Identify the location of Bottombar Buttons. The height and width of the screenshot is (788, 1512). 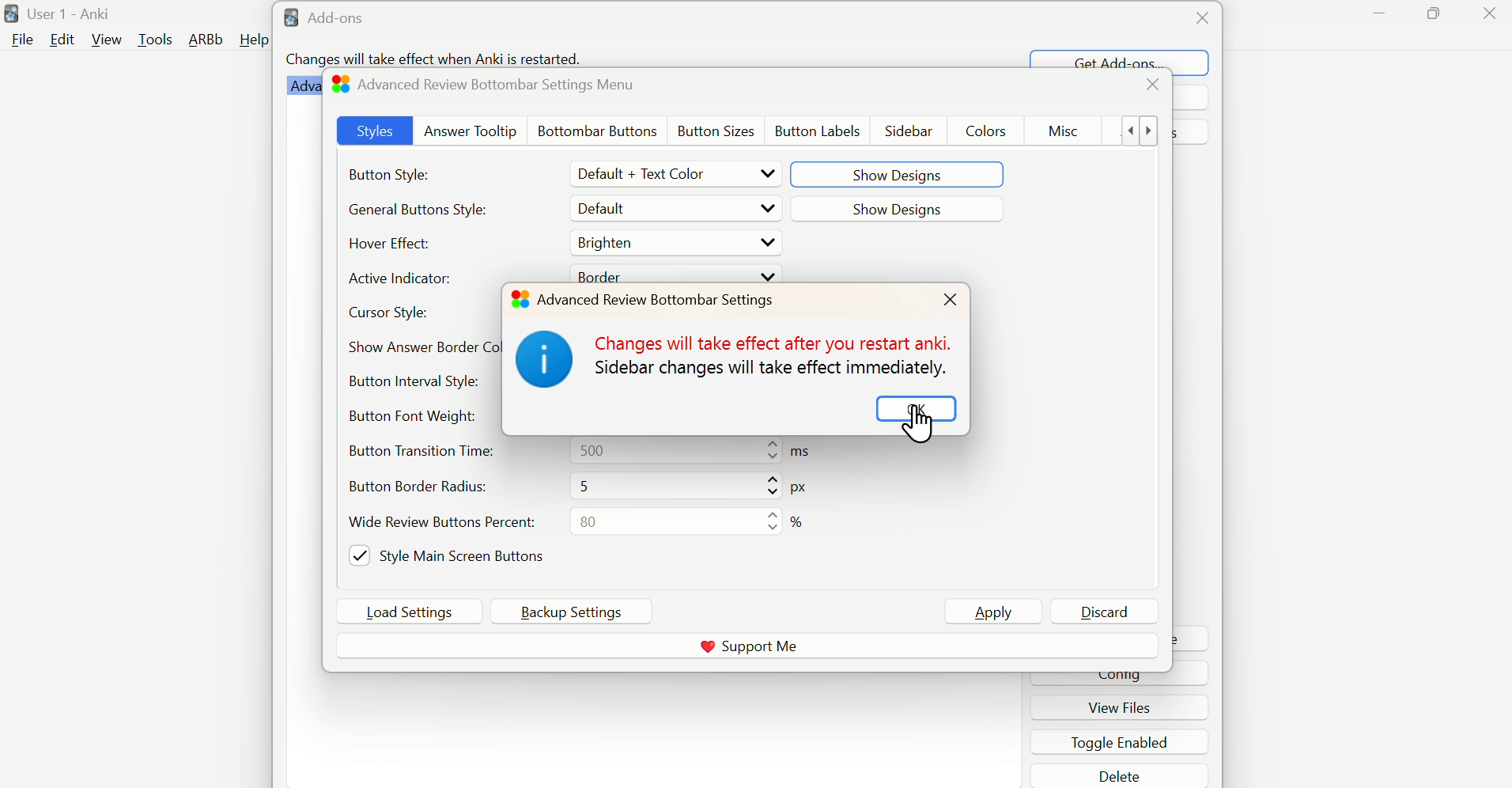
(600, 131).